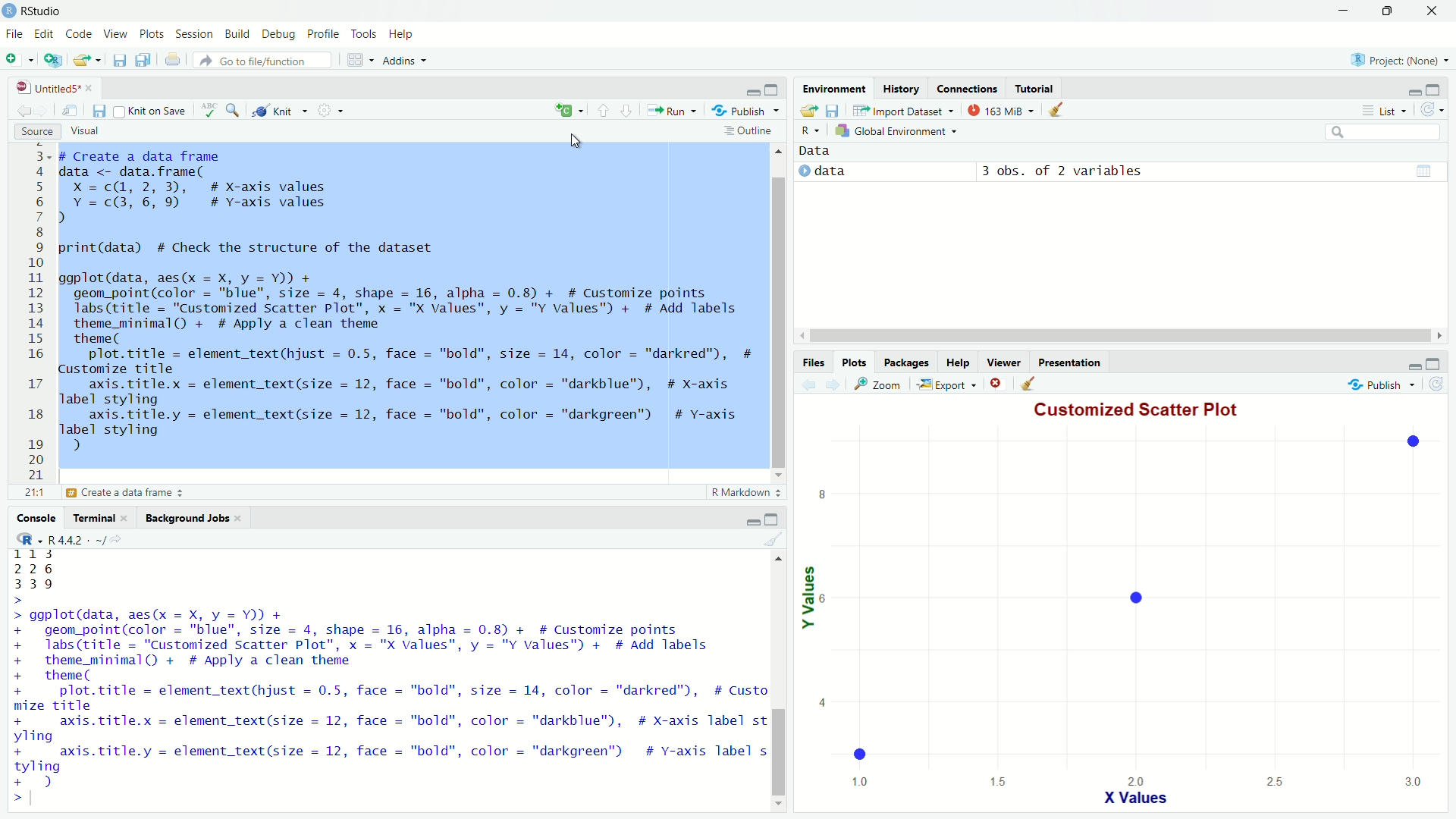  What do you see at coordinates (670, 111) in the screenshot?
I see `Run` at bounding box center [670, 111].